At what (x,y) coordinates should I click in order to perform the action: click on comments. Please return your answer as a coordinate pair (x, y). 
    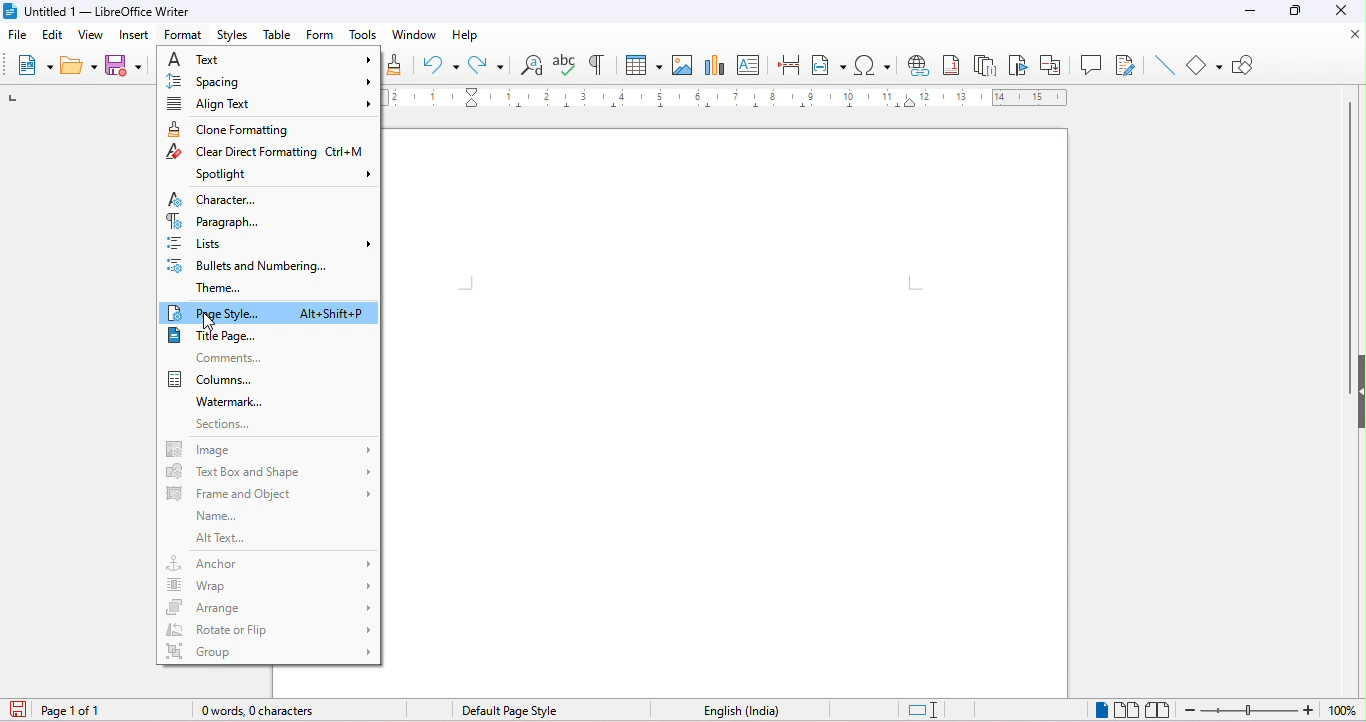
    Looking at the image, I should click on (246, 360).